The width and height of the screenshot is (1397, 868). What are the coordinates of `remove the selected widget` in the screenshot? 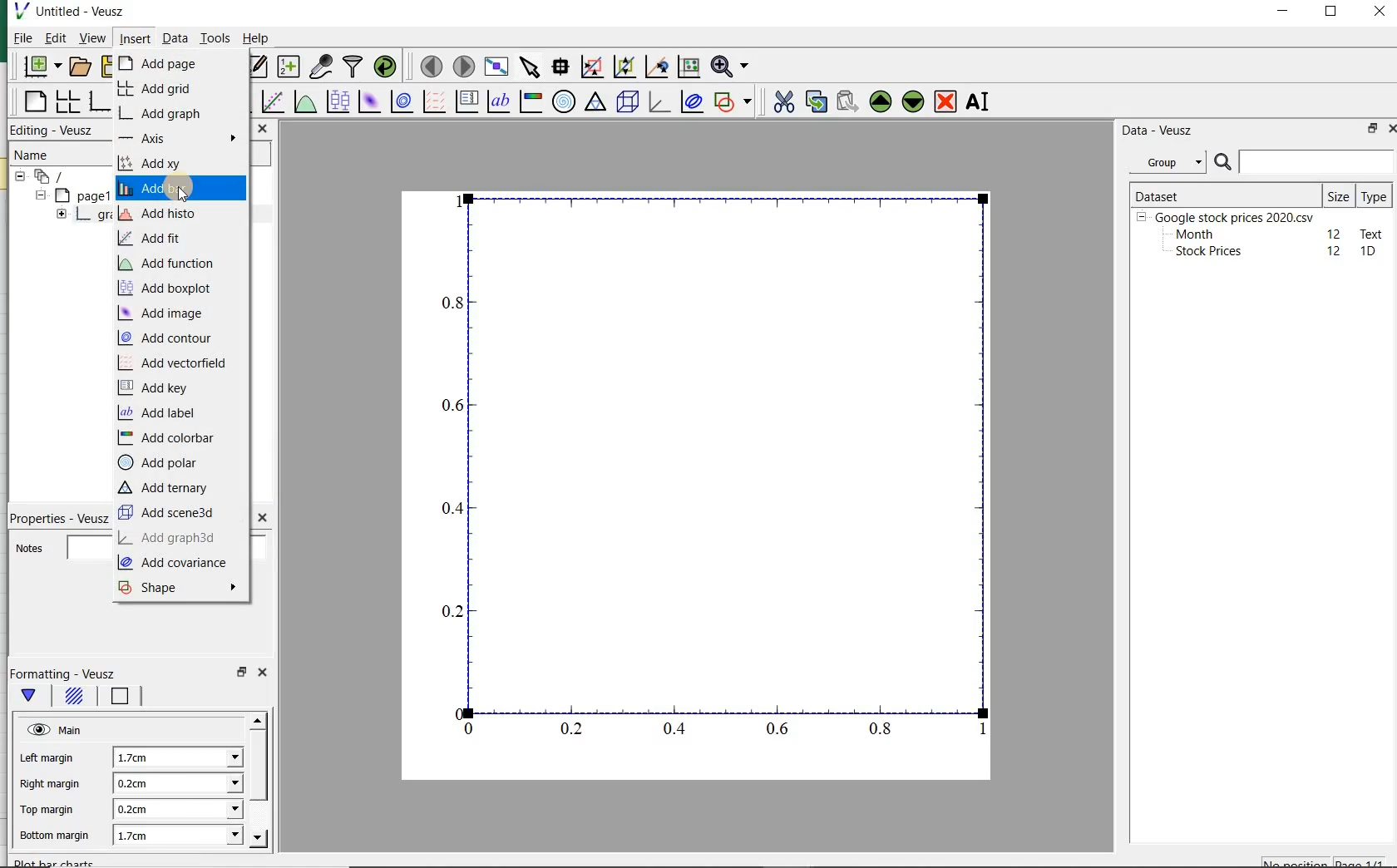 It's located at (946, 101).